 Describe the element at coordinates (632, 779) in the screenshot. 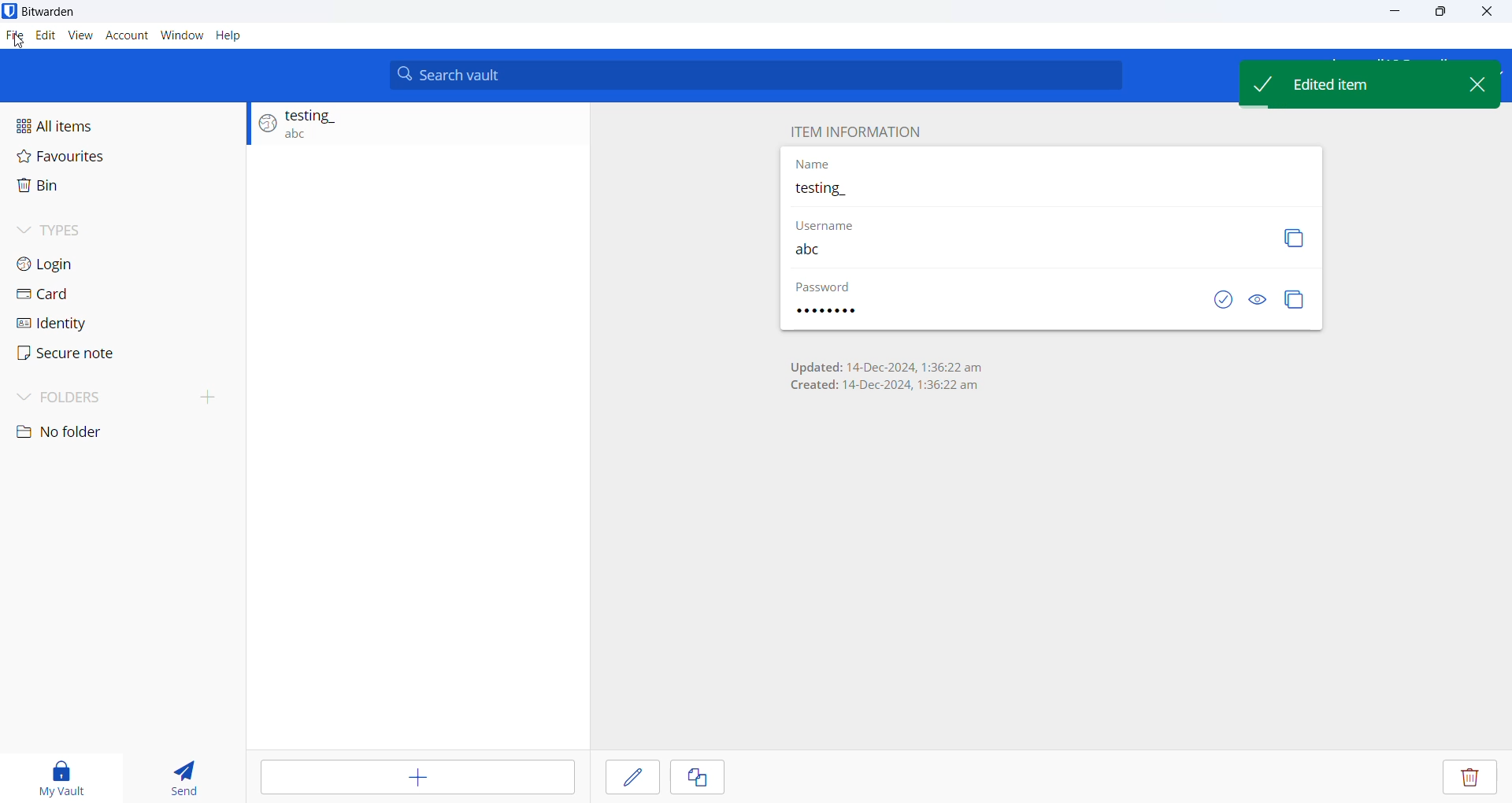

I see `save` at that location.